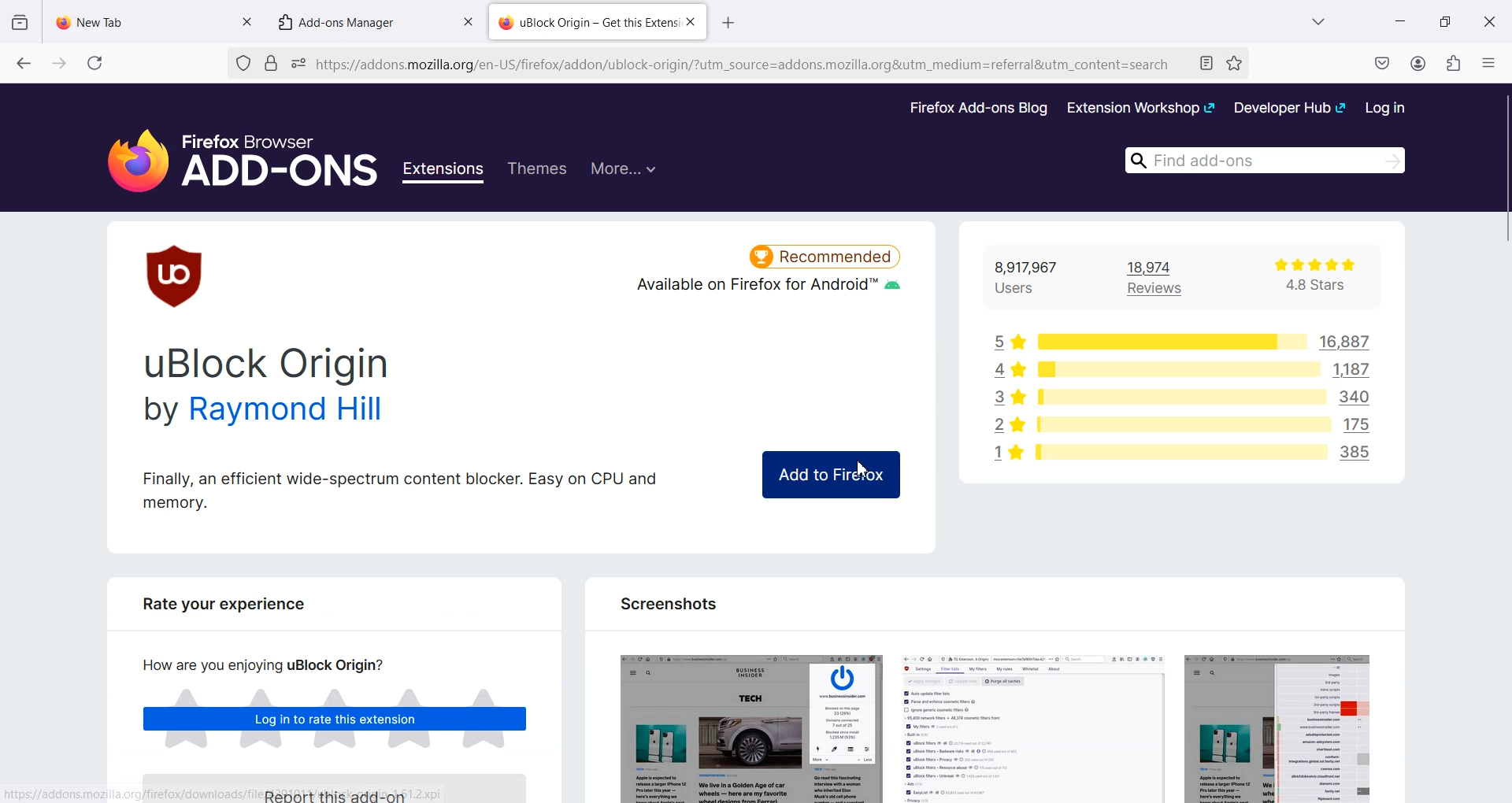 The height and width of the screenshot is (803, 1512). Describe the element at coordinates (1453, 63) in the screenshot. I see `Extensions` at that location.